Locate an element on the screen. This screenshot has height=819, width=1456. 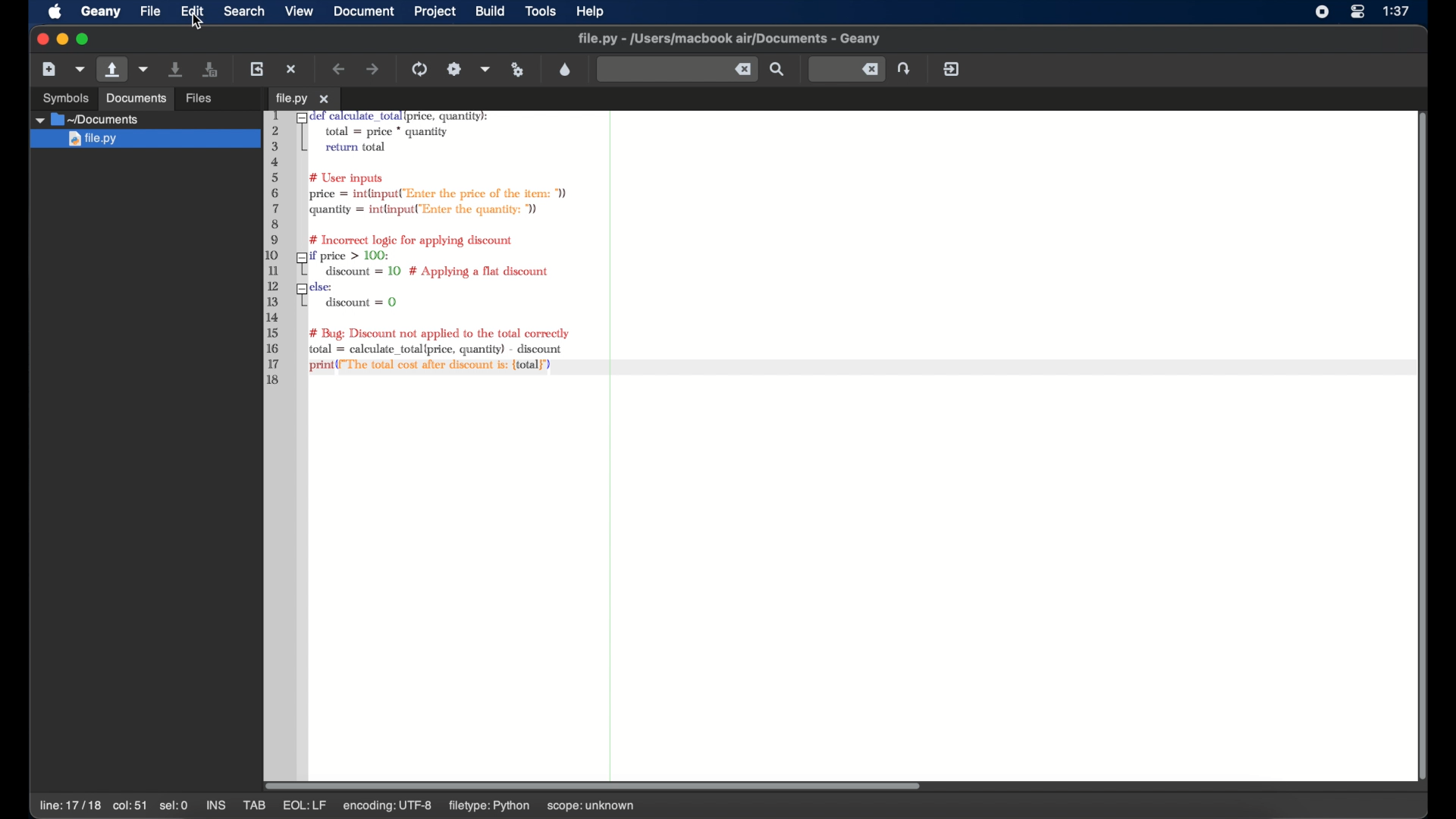
maximize is located at coordinates (85, 39).